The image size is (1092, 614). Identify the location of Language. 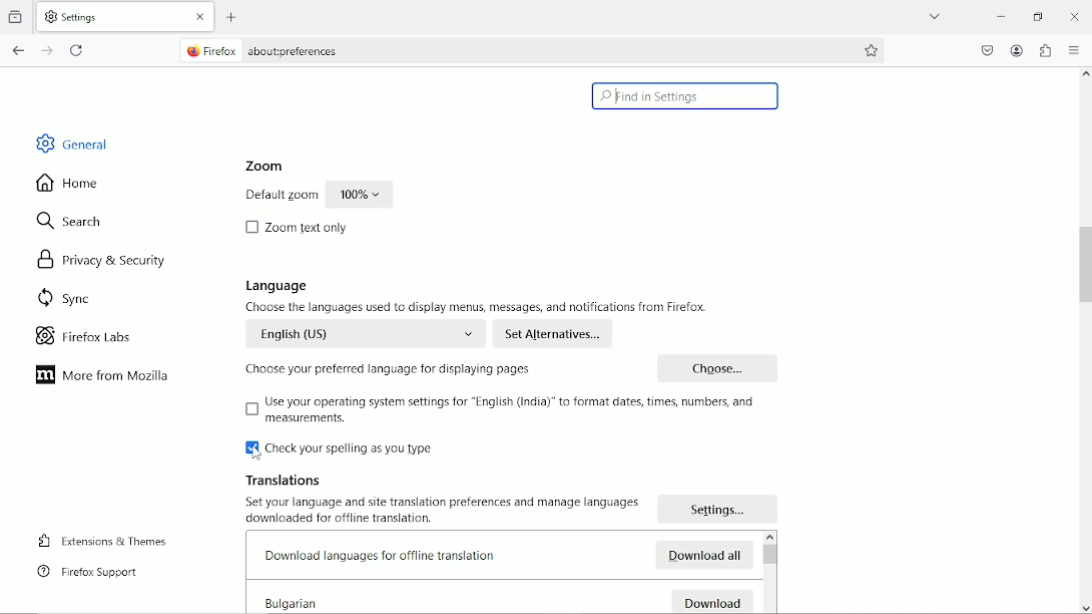
(273, 286).